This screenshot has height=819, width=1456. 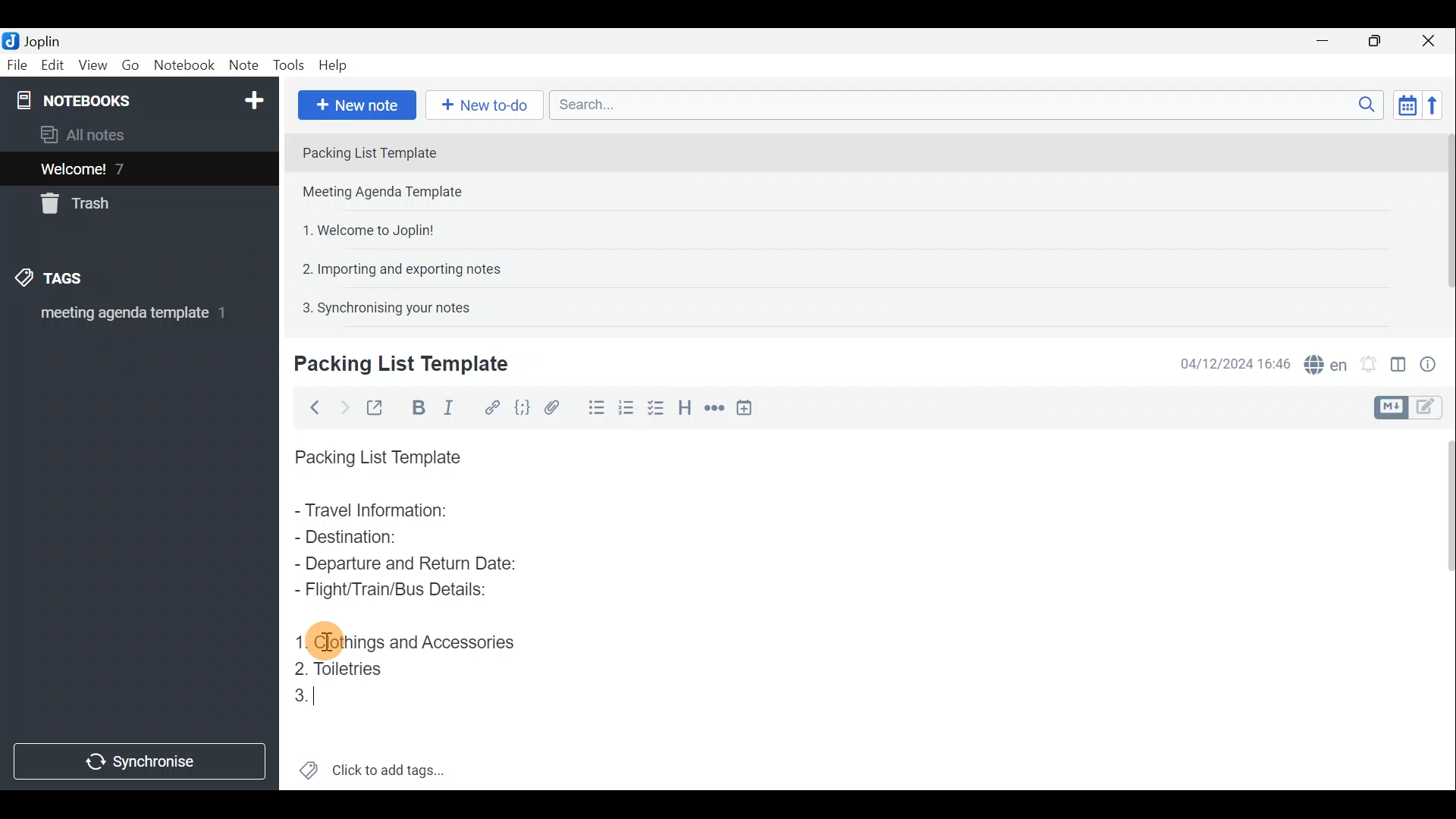 I want to click on Notebook, so click(x=137, y=99).